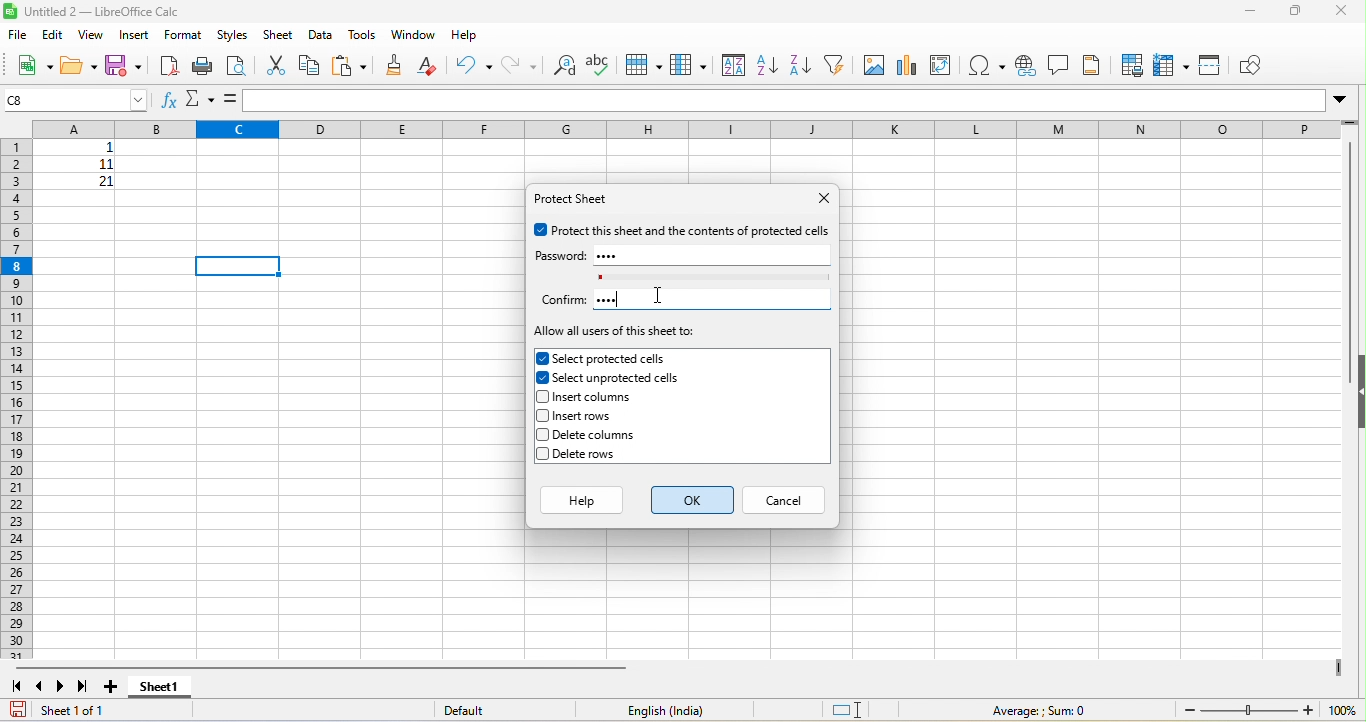  I want to click on standard selection, so click(847, 711).